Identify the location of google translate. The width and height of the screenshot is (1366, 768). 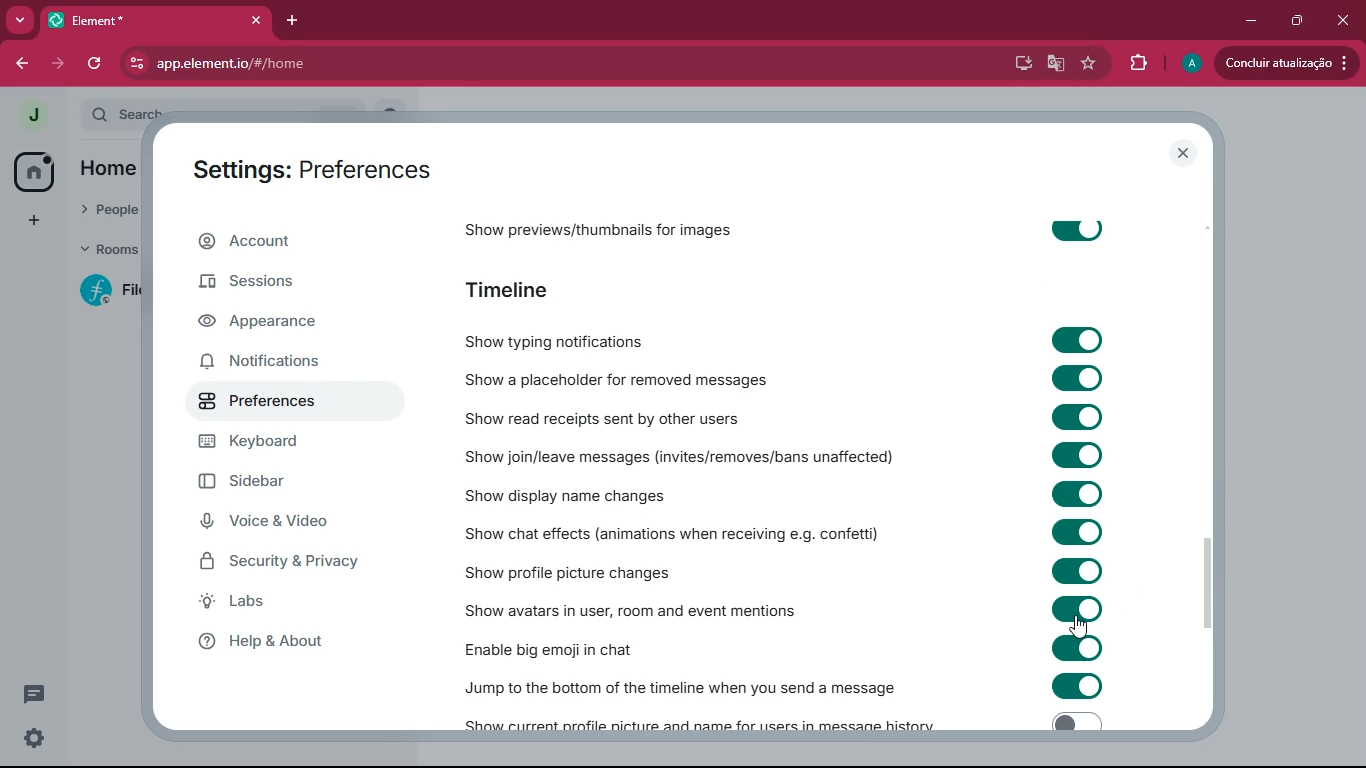
(1056, 66).